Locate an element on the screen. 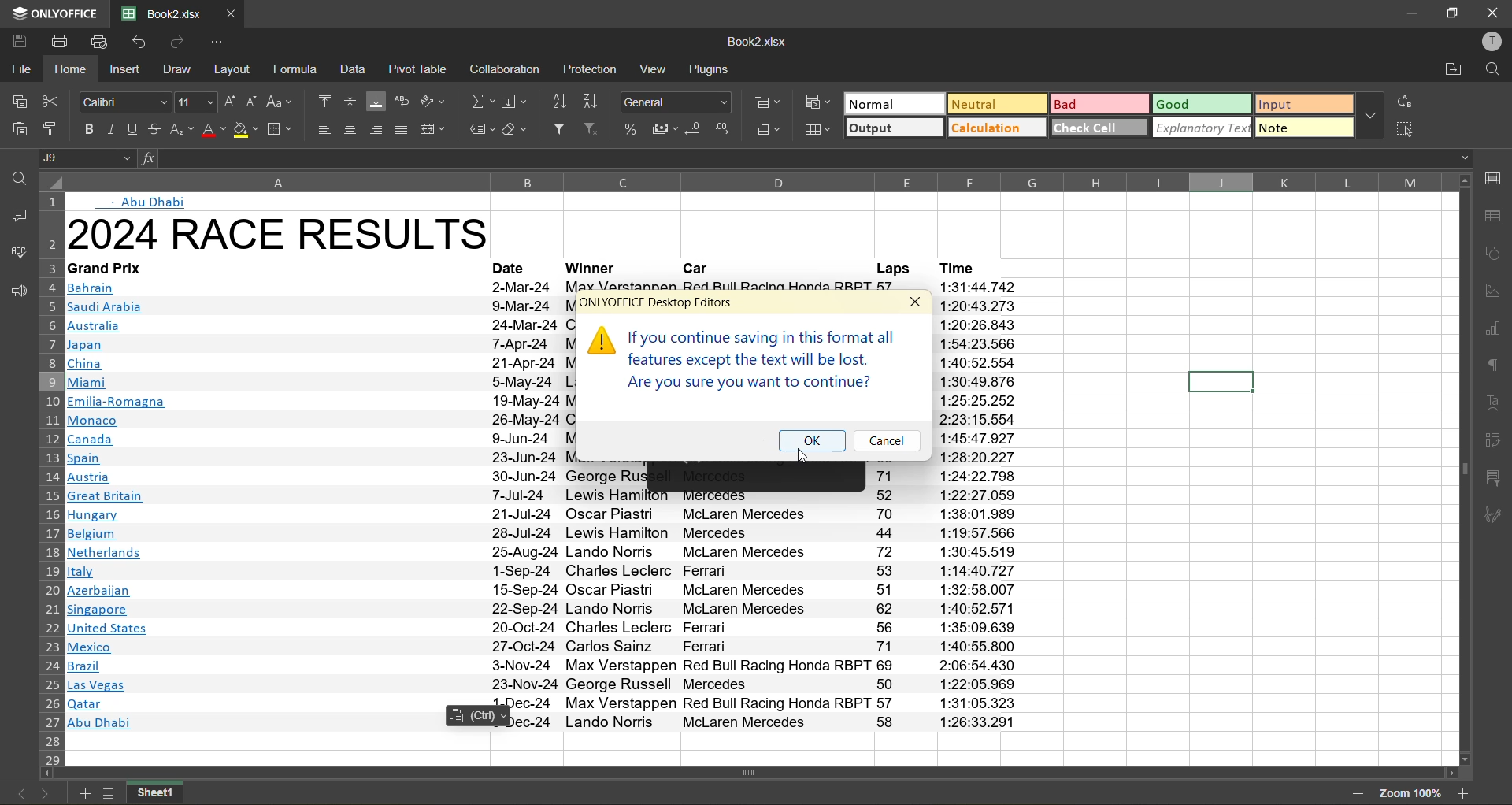  increase decimal is located at coordinates (724, 129).